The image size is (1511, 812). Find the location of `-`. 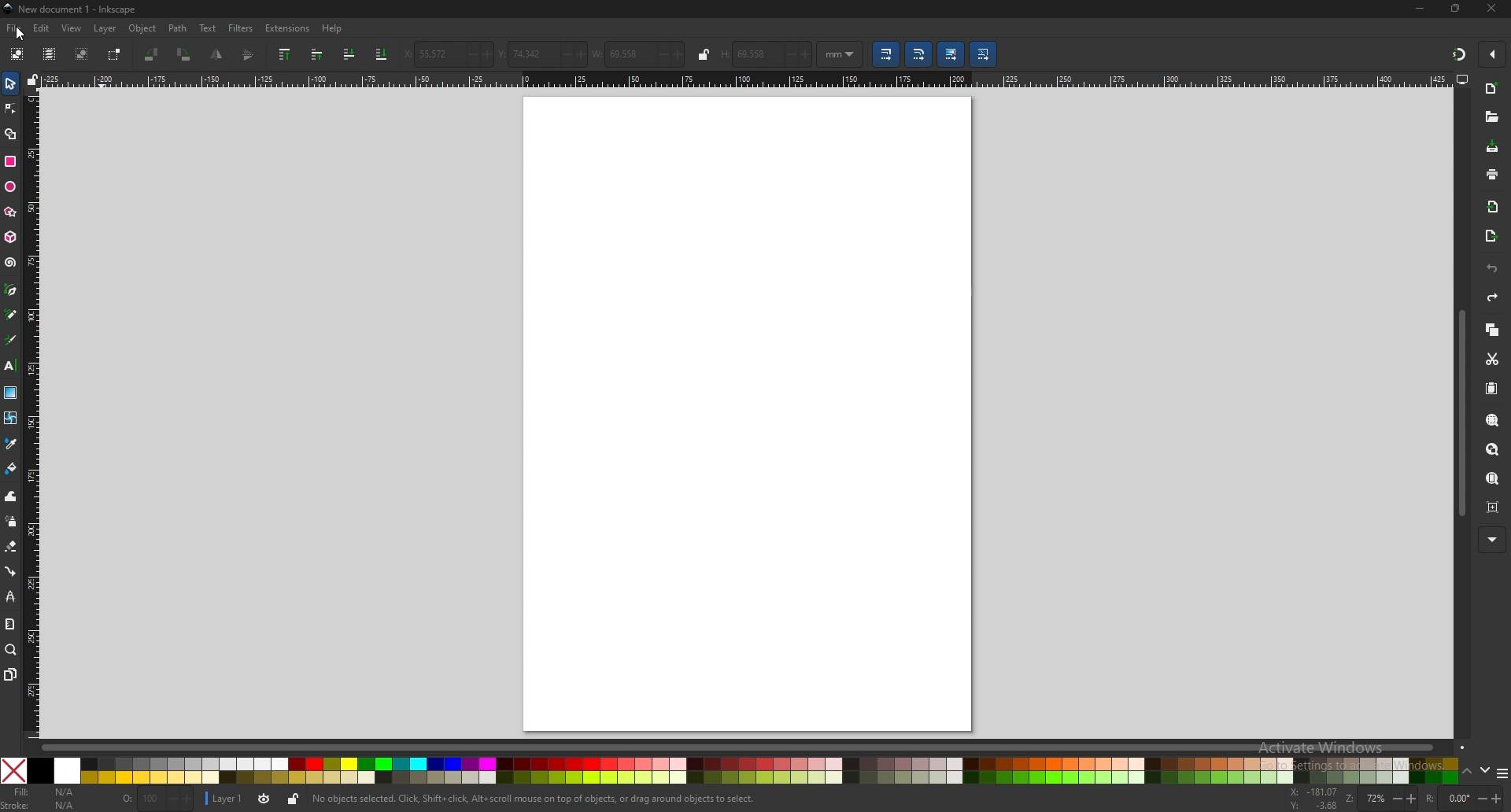

- is located at coordinates (1478, 798).